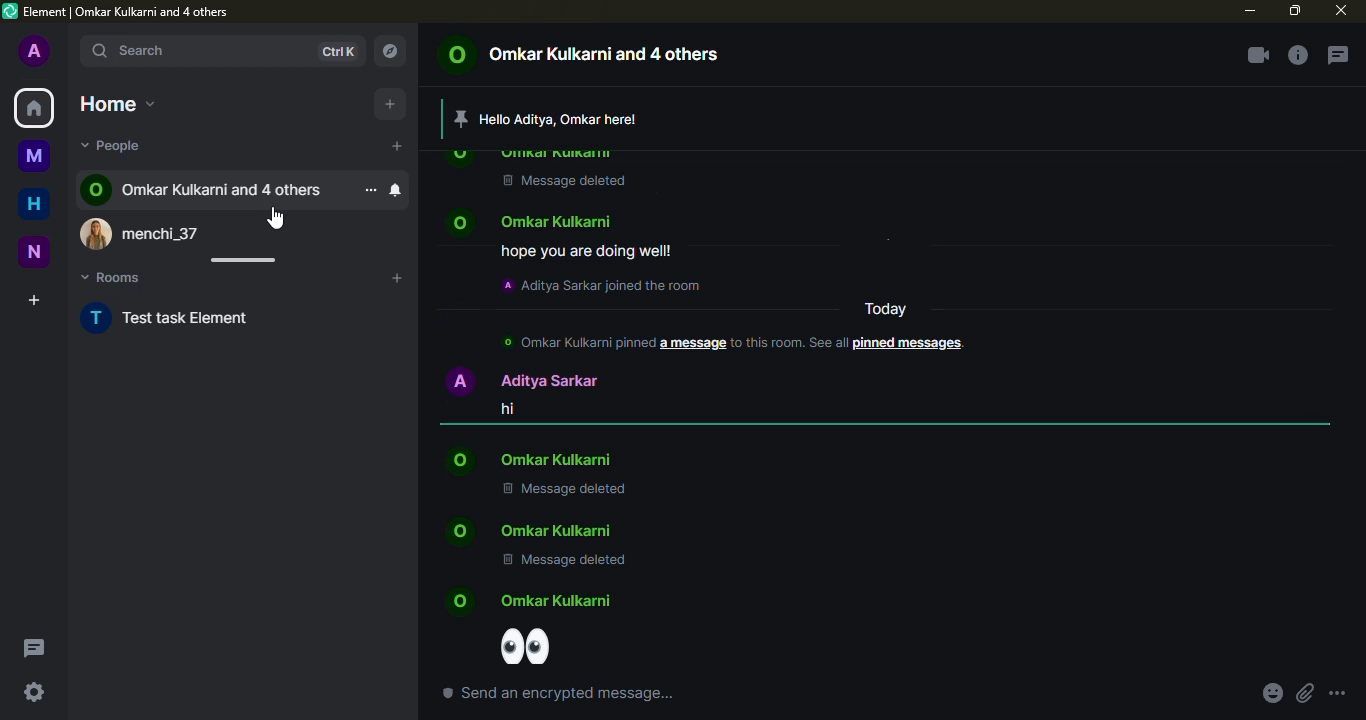 This screenshot has height=720, width=1366. Describe the element at coordinates (1341, 10) in the screenshot. I see `close` at that location.